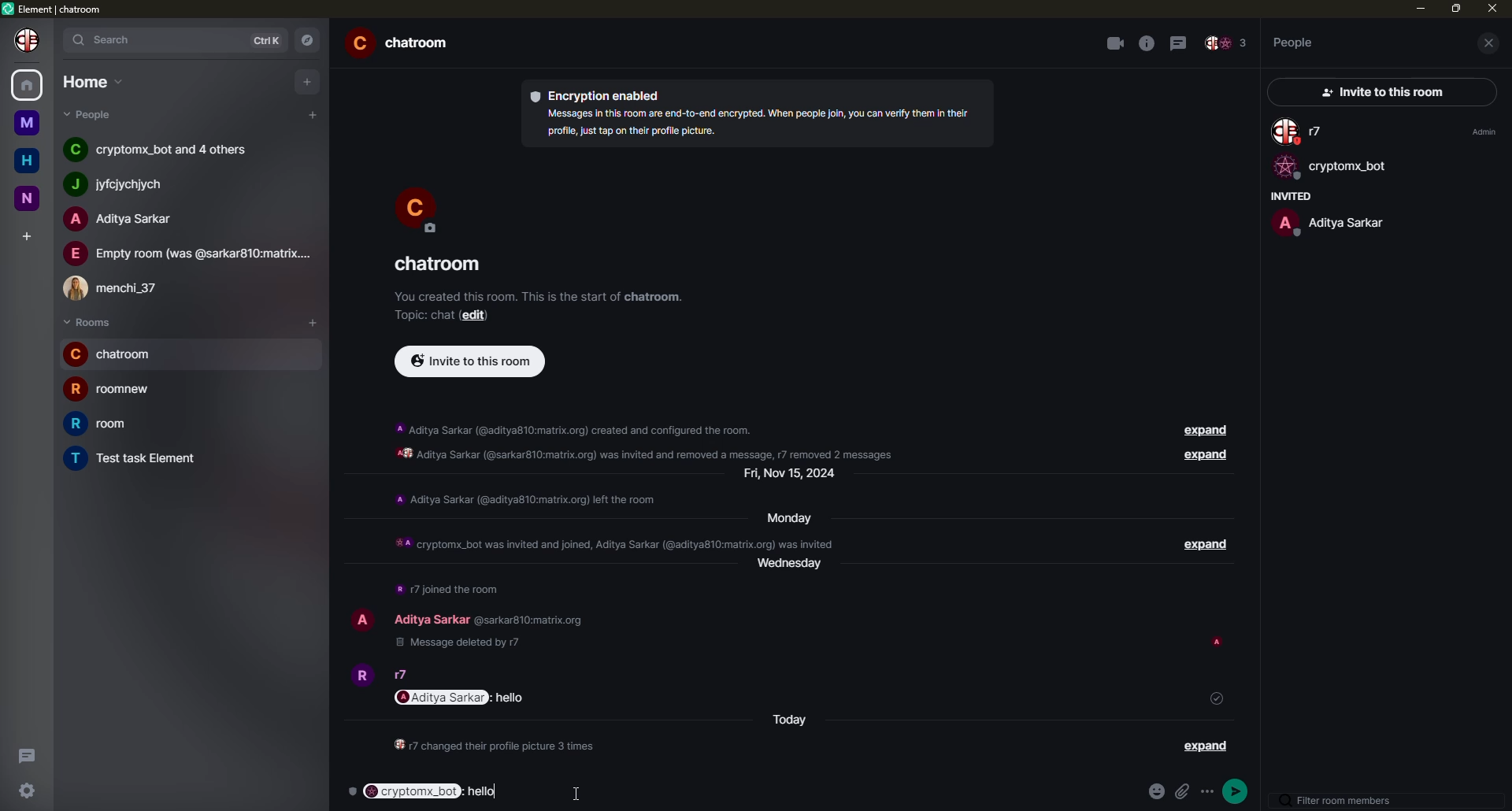 This screenshot has width=1512, height=811. Describe the element at coordinates (1198, 431) in the screenshot. I see `expand` at that location.